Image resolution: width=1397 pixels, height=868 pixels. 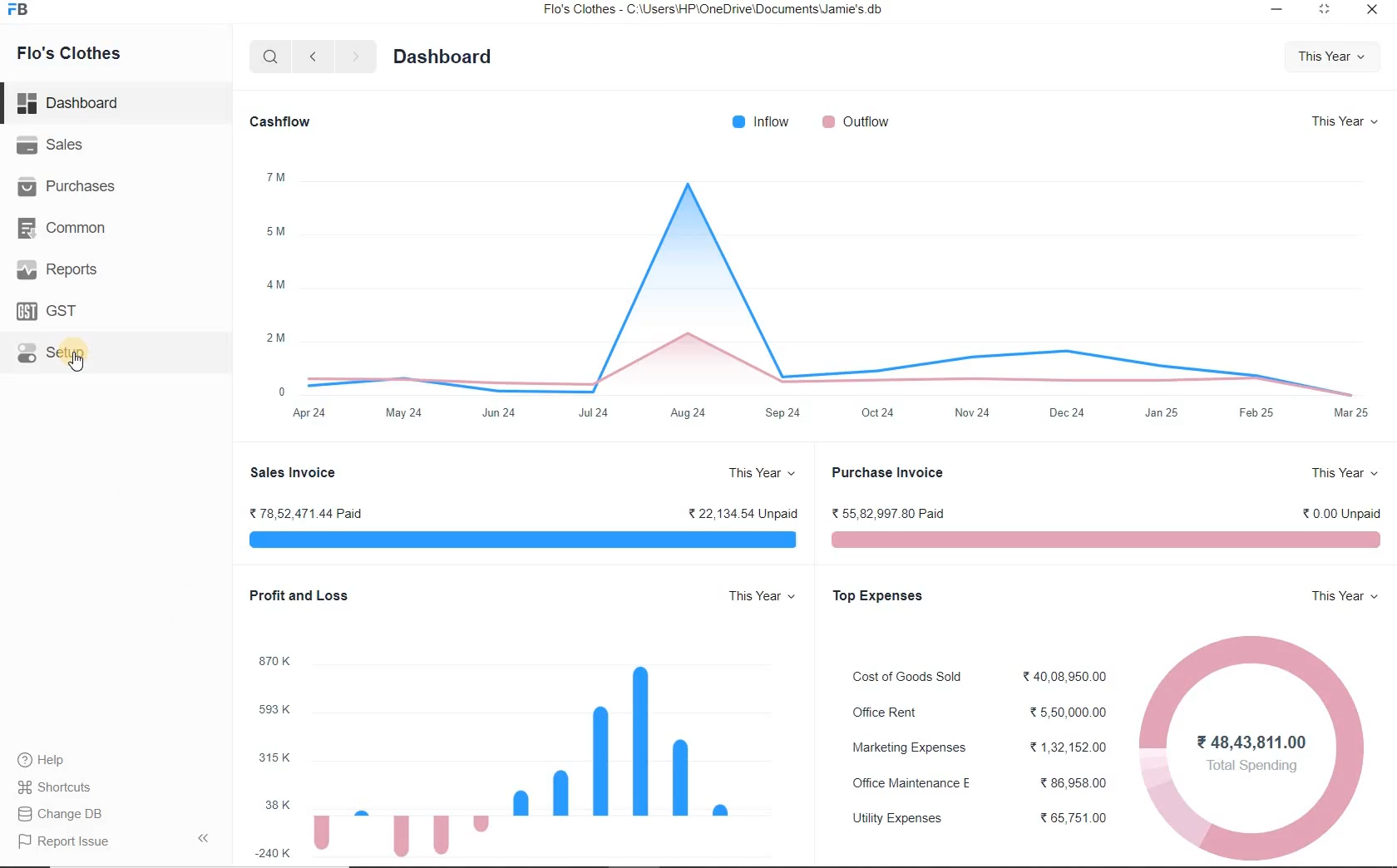 I want to click on Top Expenses, so click(x=876, y=596).